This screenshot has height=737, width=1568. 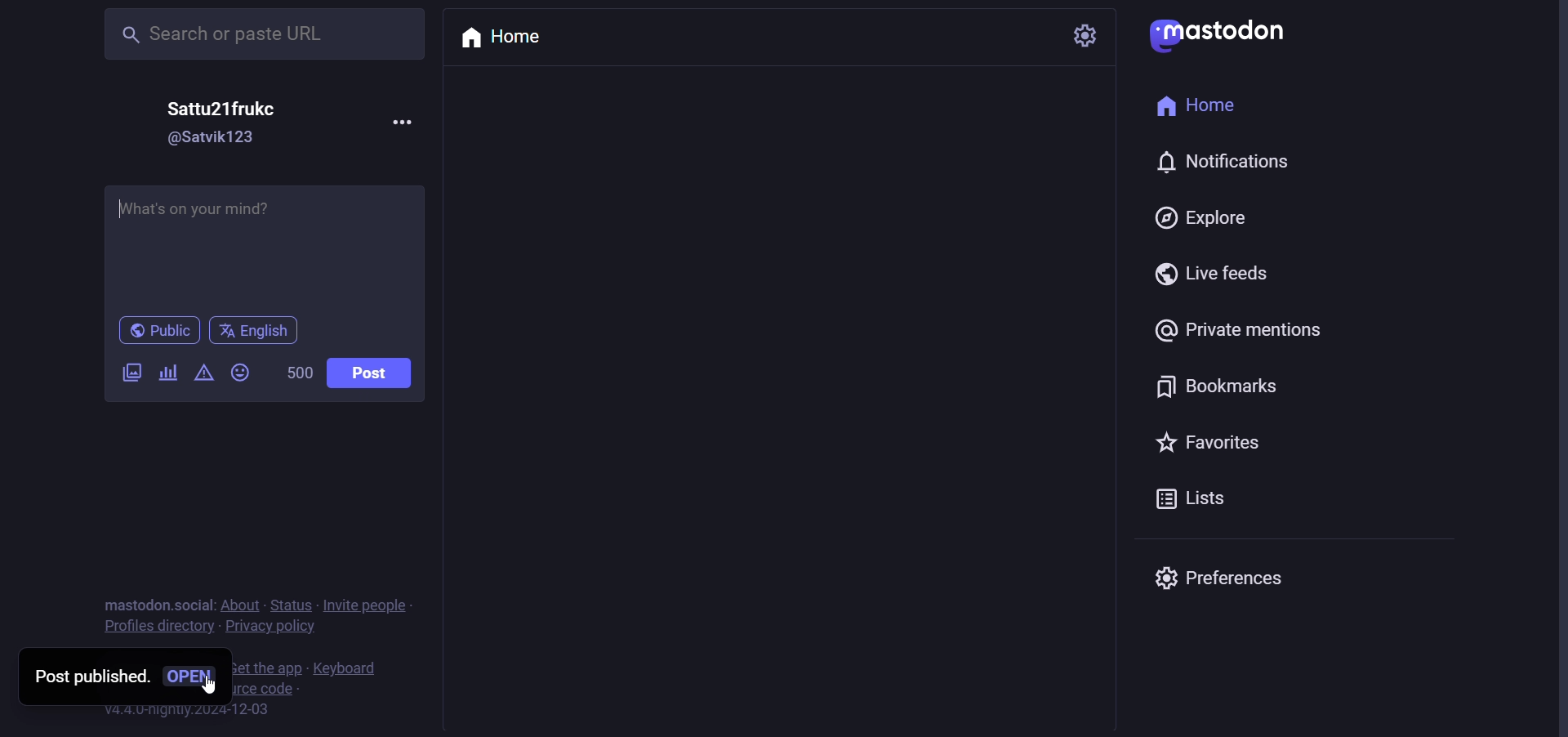 I want to click on explore, so click(x=1204, y=220).